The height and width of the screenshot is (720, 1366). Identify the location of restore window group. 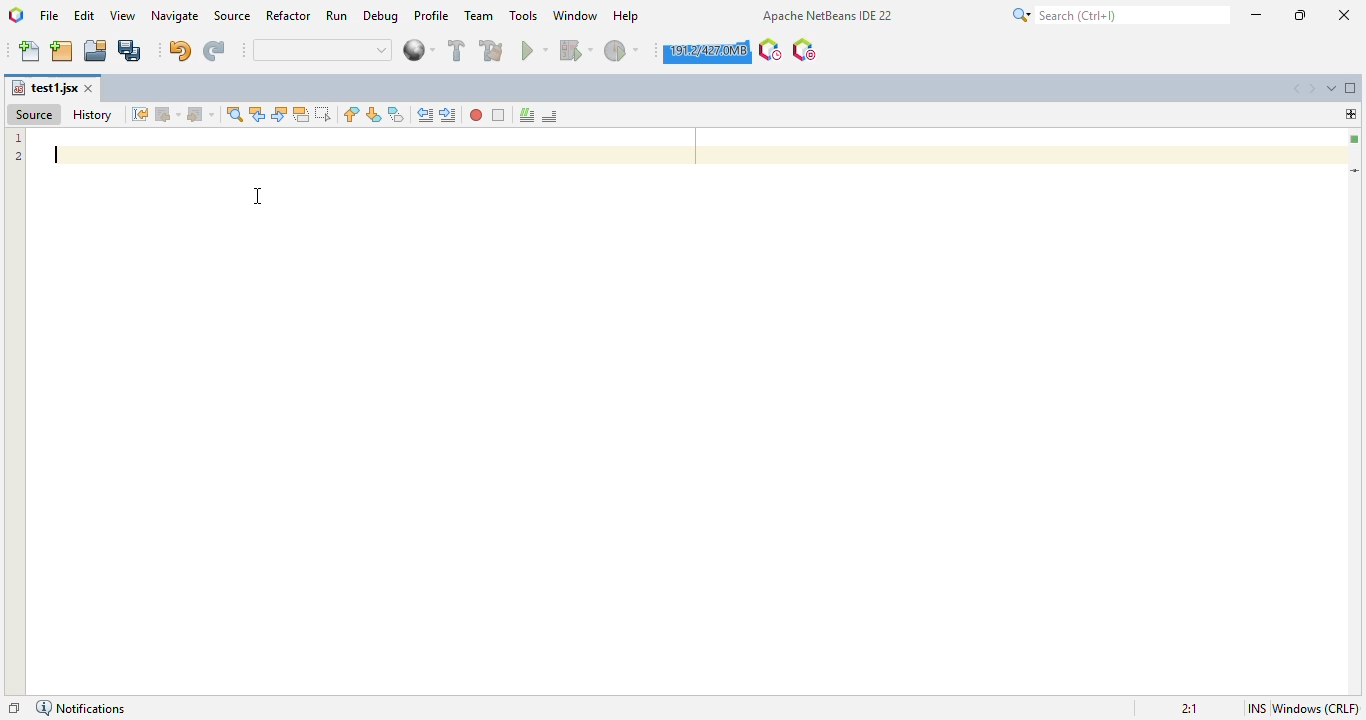
(15, 709).